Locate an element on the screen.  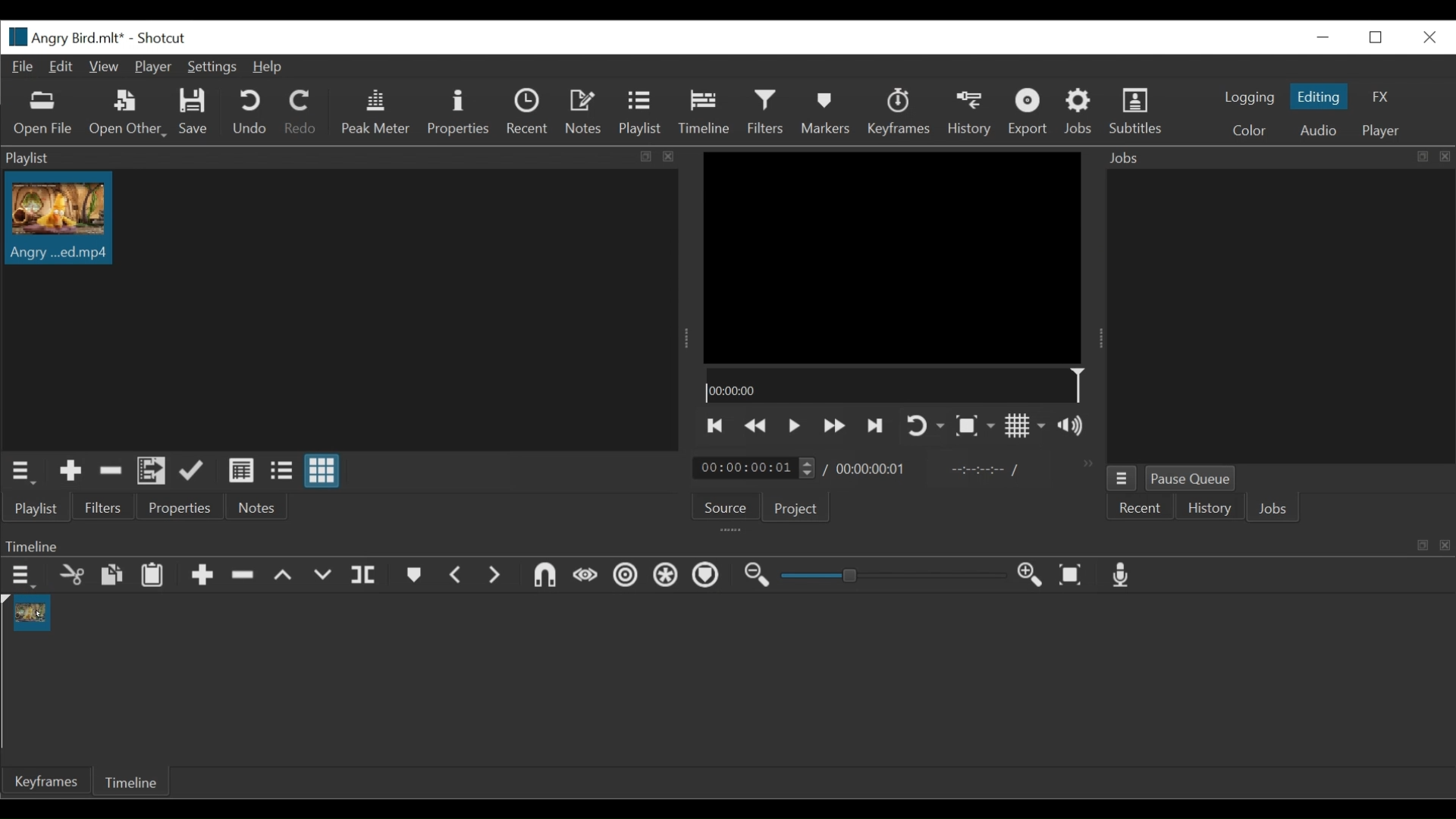
Cut is located at coordinates (111, 473).